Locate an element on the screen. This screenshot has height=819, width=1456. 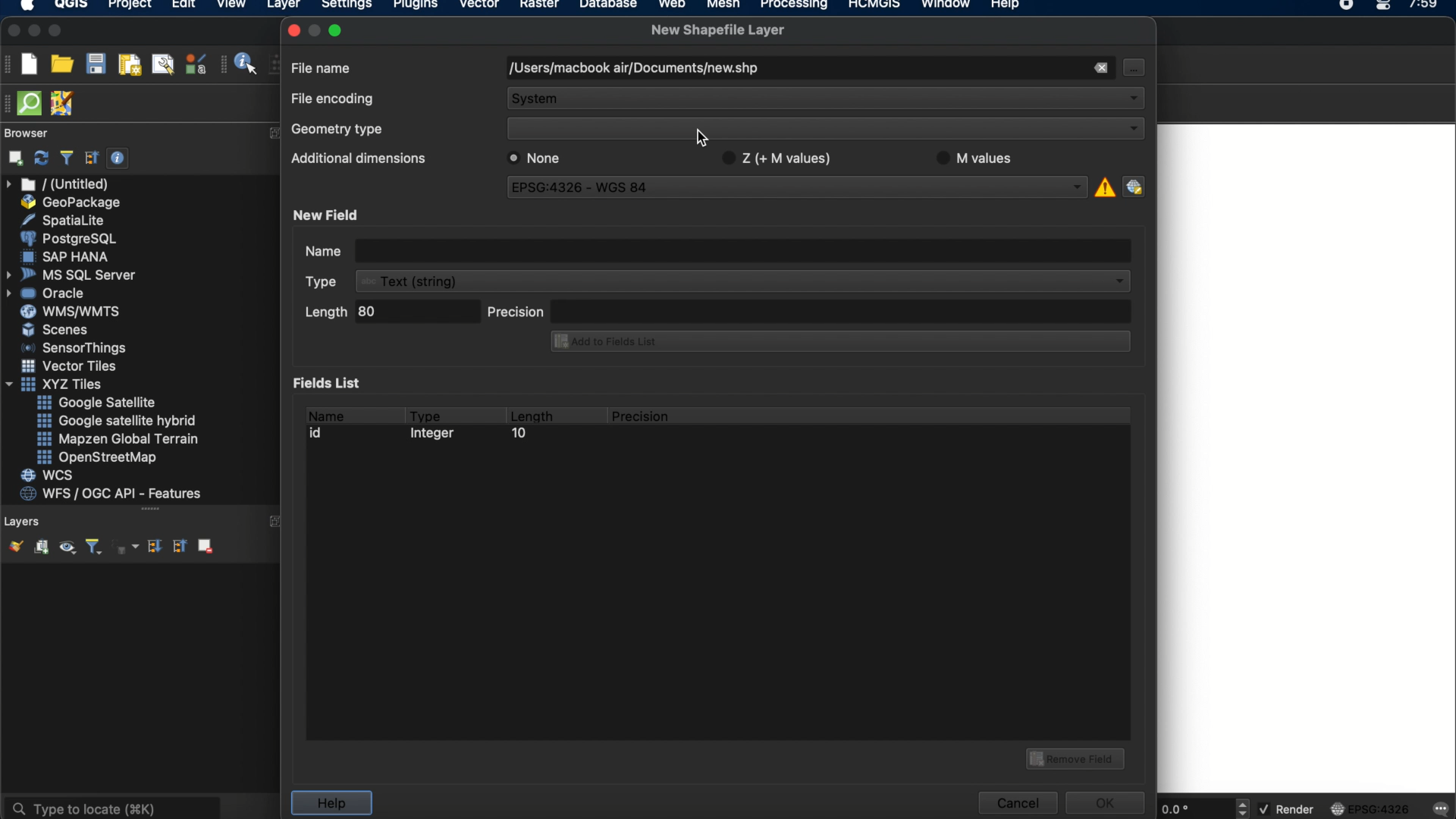
workspace is located at coordinates (1304, 460).